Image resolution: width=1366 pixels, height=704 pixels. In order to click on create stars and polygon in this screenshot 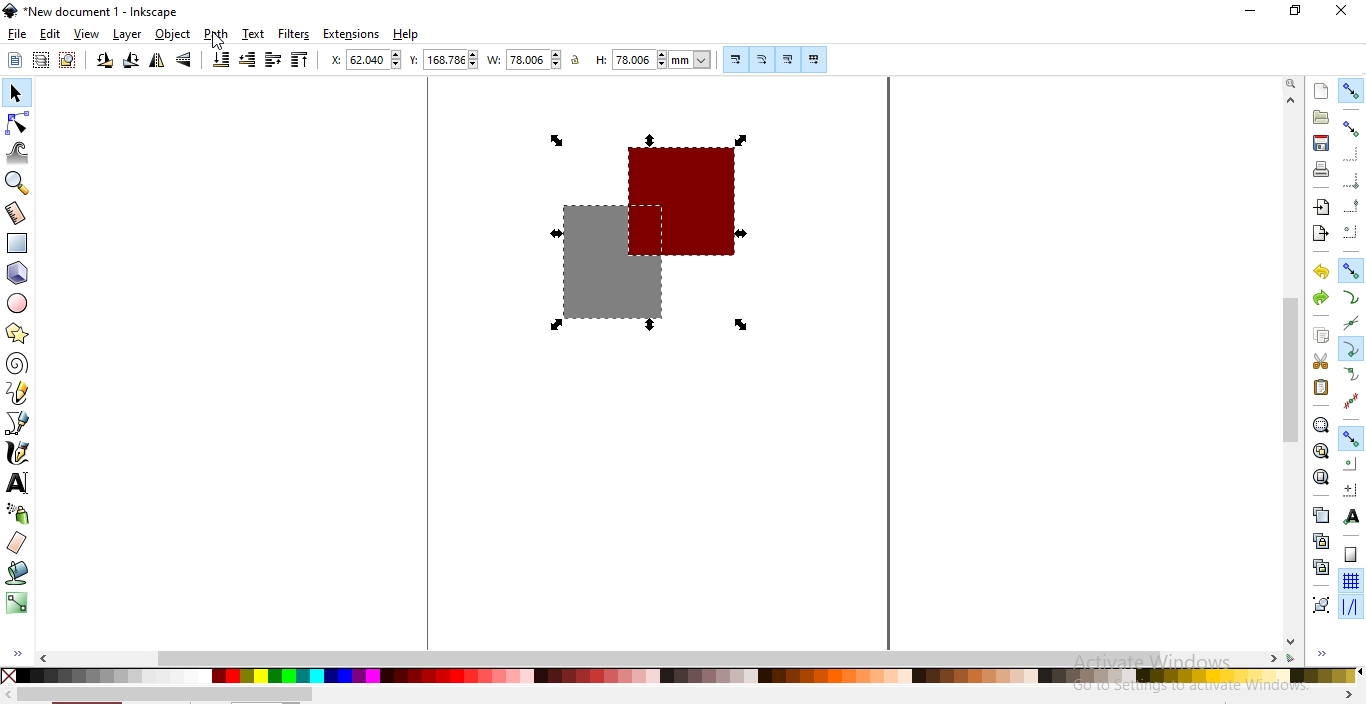, I will do `click(20, 333)`.